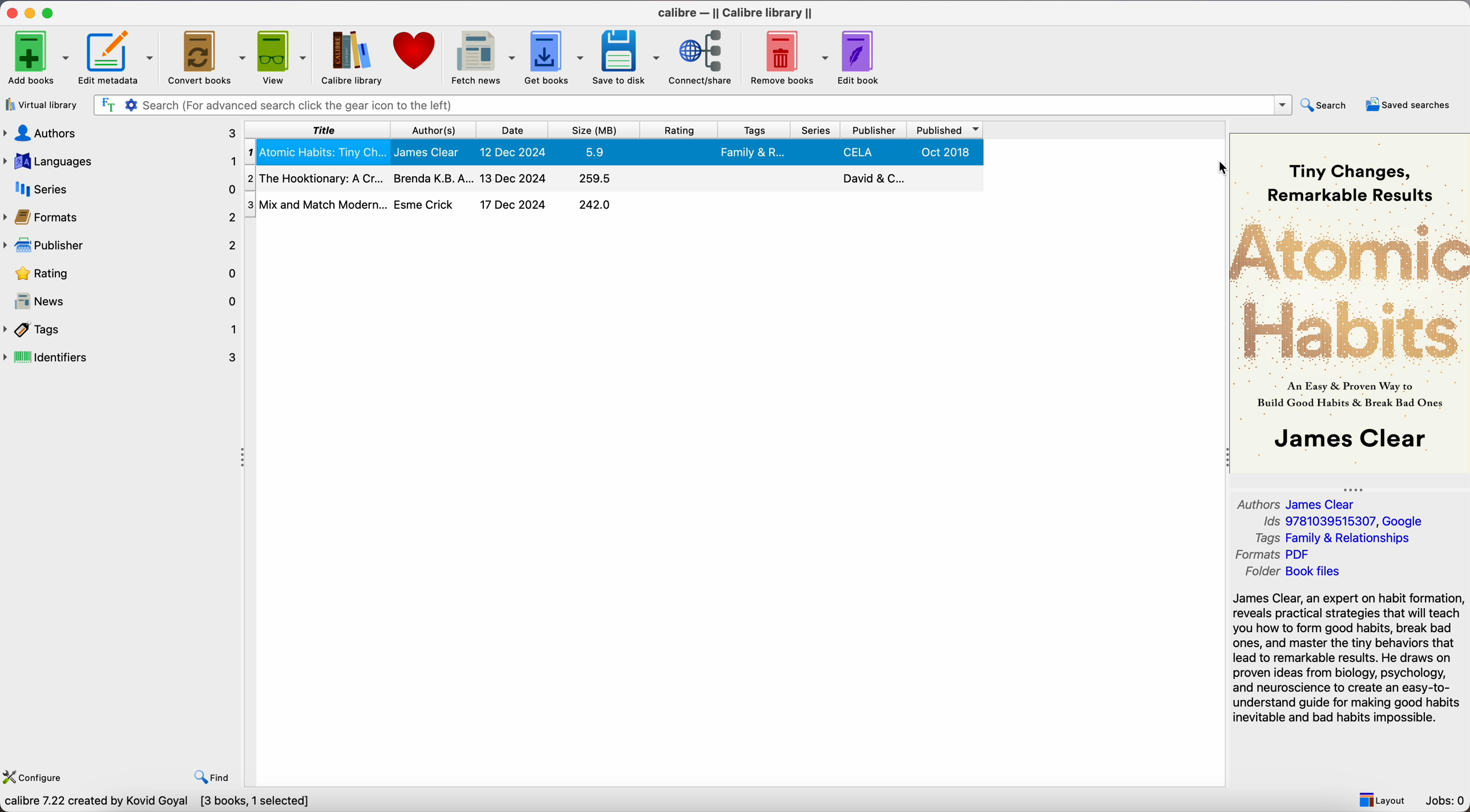 Image resolution: width=1470 pixels, height=812 pixels. I want to click on donate, so click(417, 51).